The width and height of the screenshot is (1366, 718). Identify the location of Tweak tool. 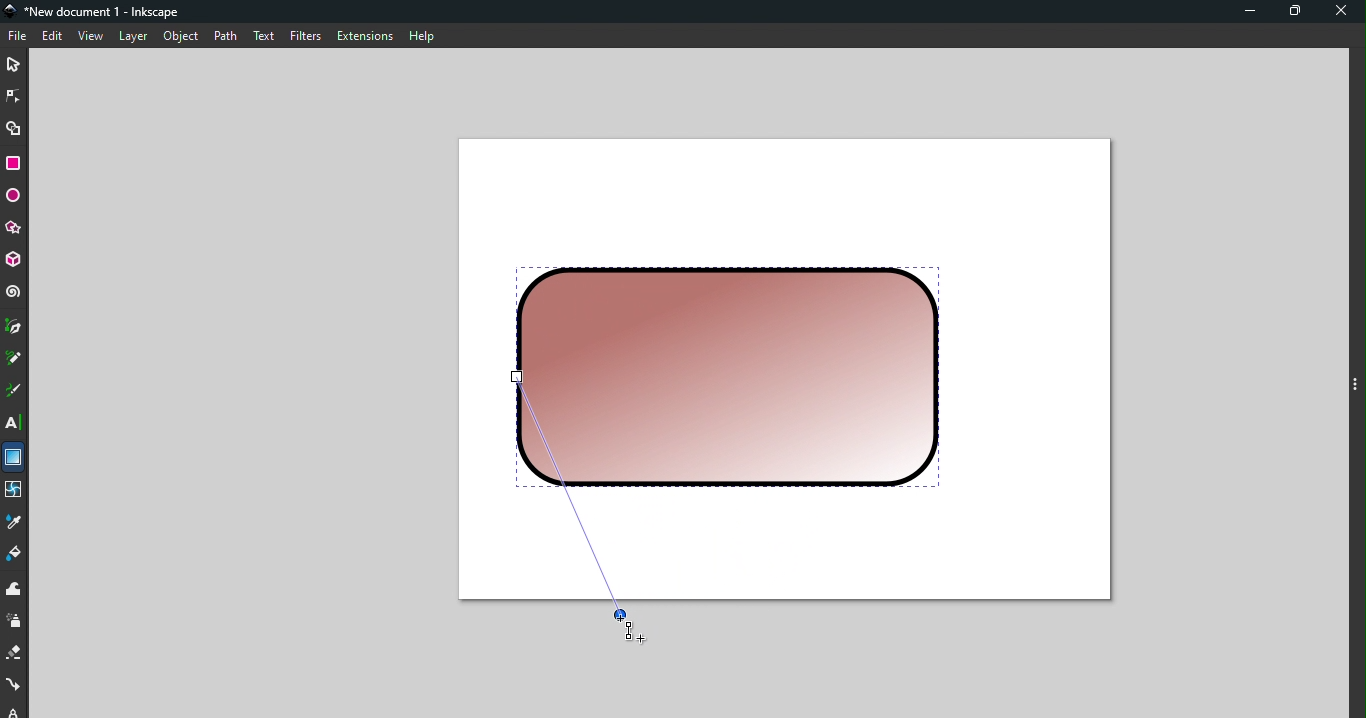
(14, 590).